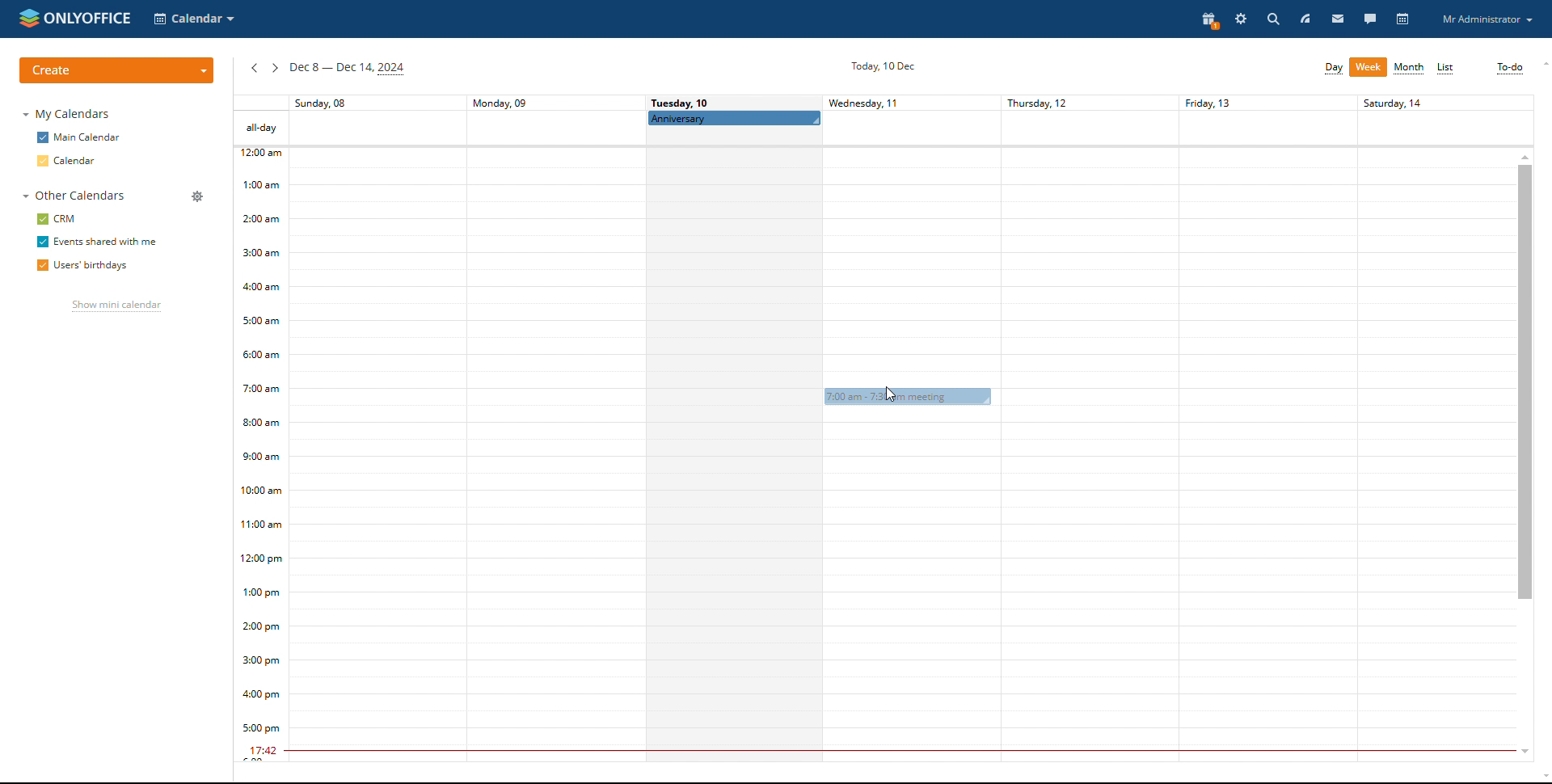 This screenshot has height=784, width=1552. What do you see at coordinates (1369, 18) in the screenshot?
I see `talk` at bounding box center [1369, 18].